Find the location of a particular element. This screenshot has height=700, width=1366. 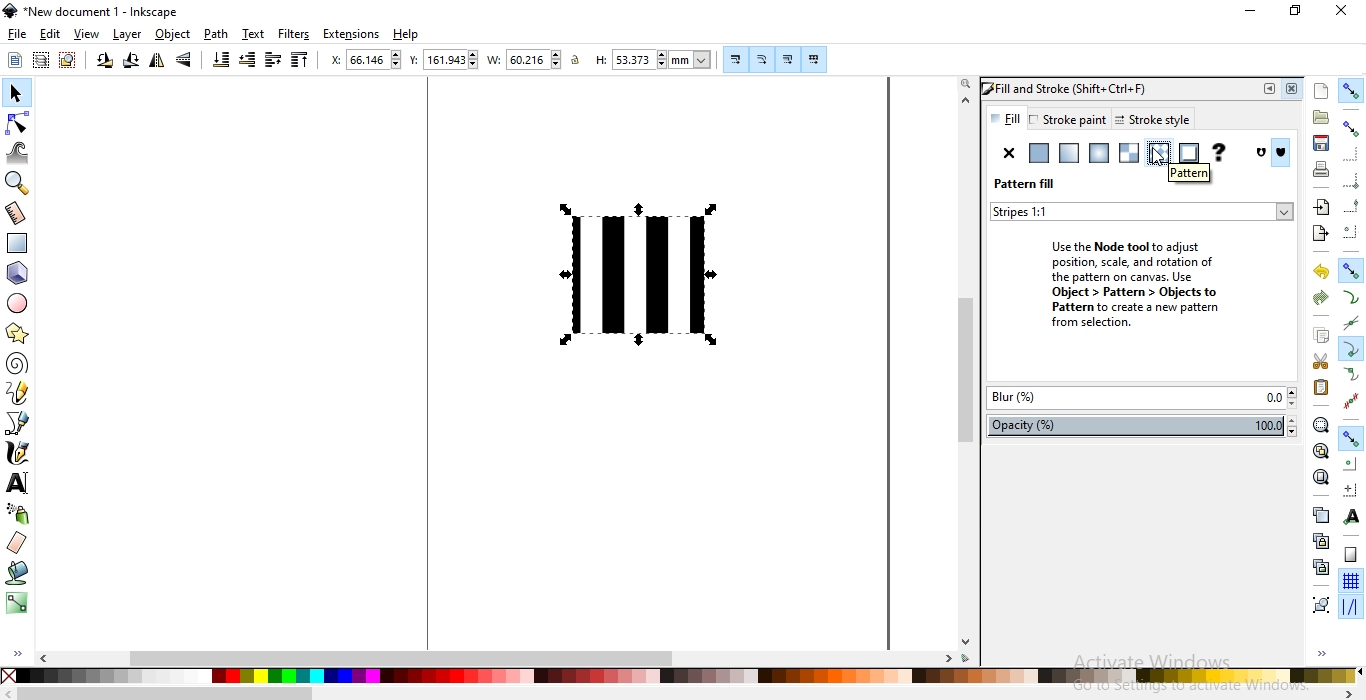

raise selection to top is located at coordinates (297, 61).